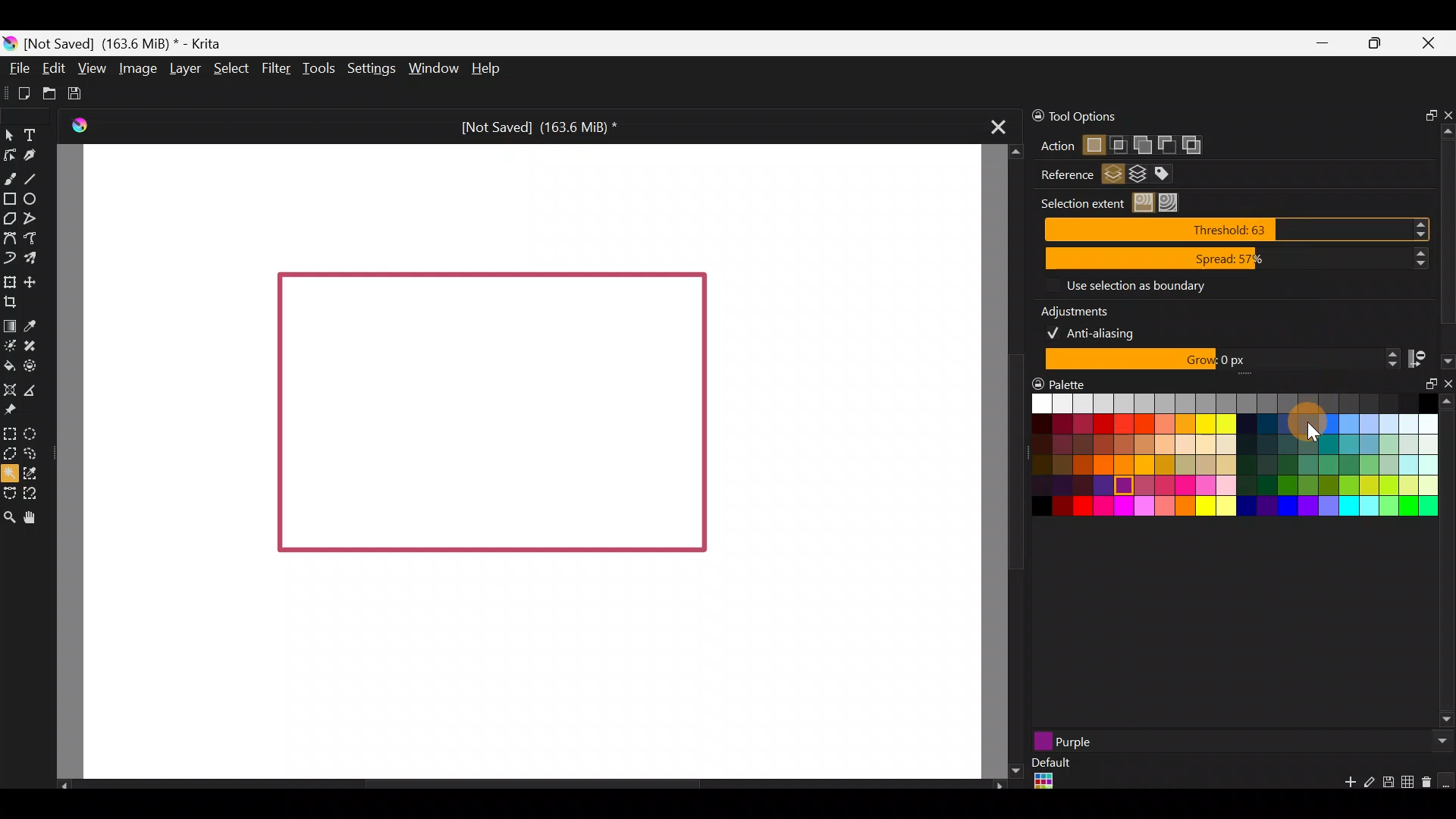  Describe the element at coordinates (1170, 174) in the screenshot. I see `Select regions from the merging of layers with specific colours` at that location.